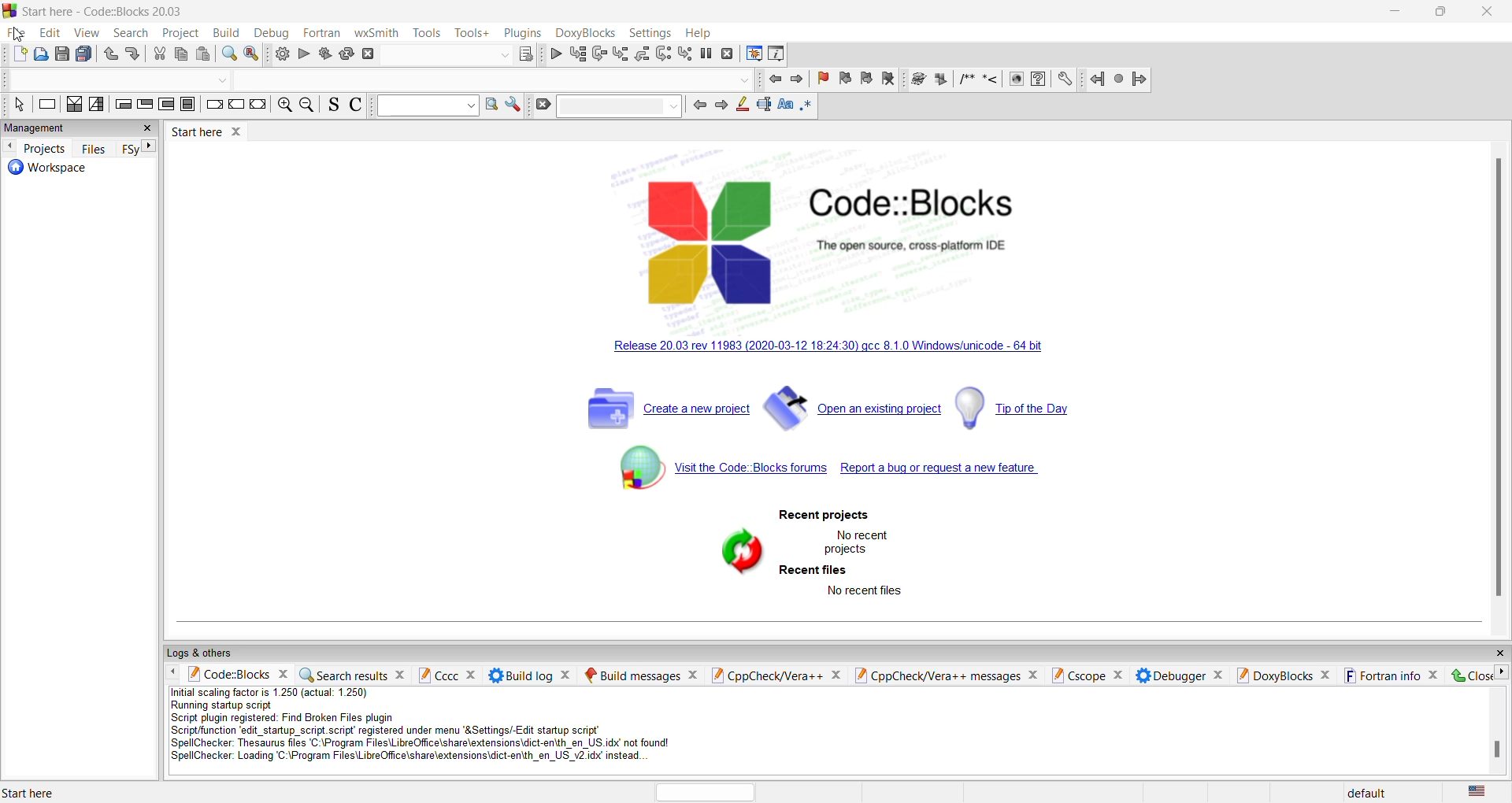 The image size is (1512, 803). I want to click on replace, so click(252, 54).